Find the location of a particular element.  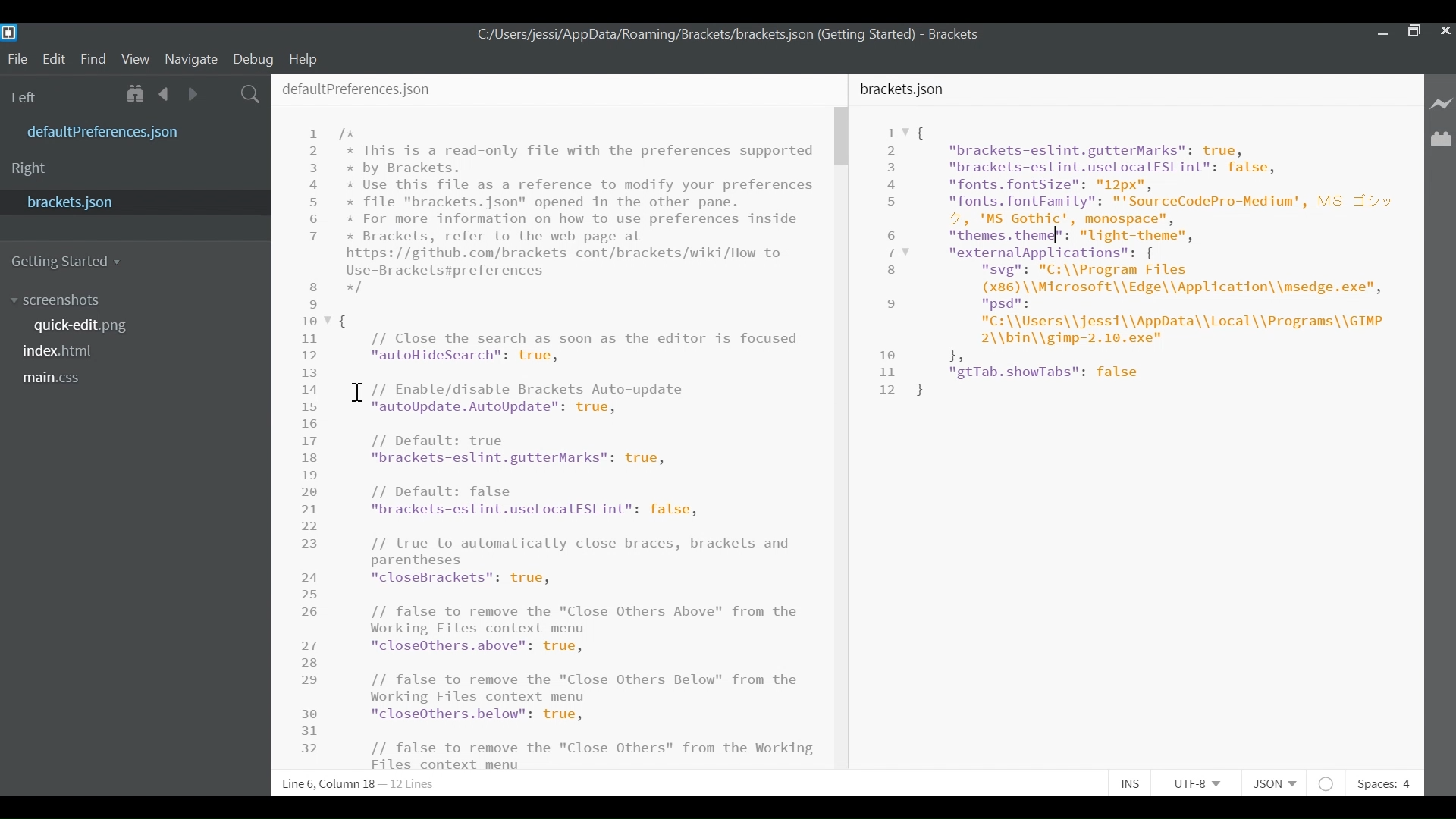

Navigate Forward is located at coordinates (193, 92).